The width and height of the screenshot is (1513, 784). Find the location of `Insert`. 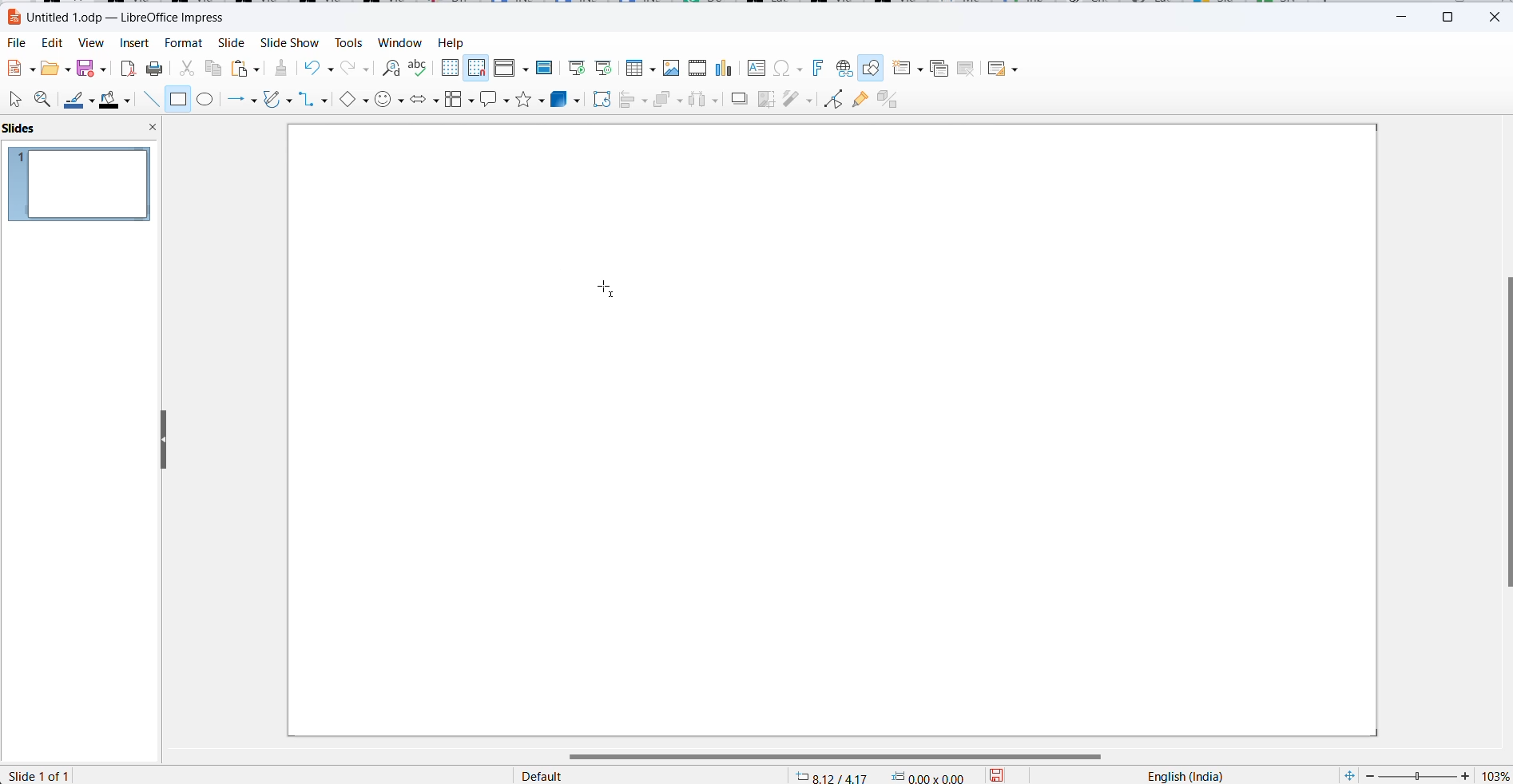

Insert is located at coordinates (134, 44).